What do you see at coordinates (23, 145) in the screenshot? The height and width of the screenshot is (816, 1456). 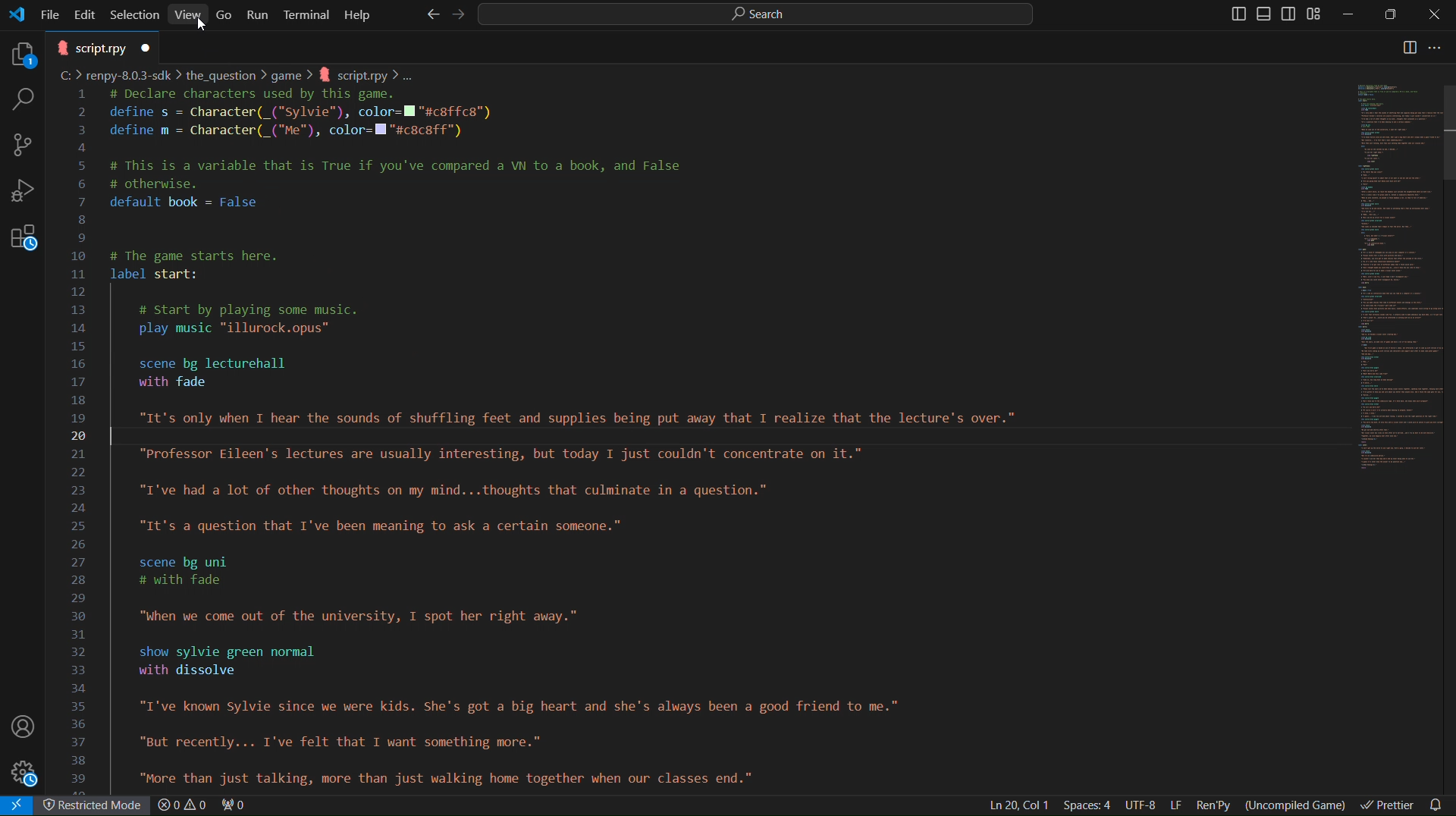 I see `Source Control` at bounding box center [23, 145].